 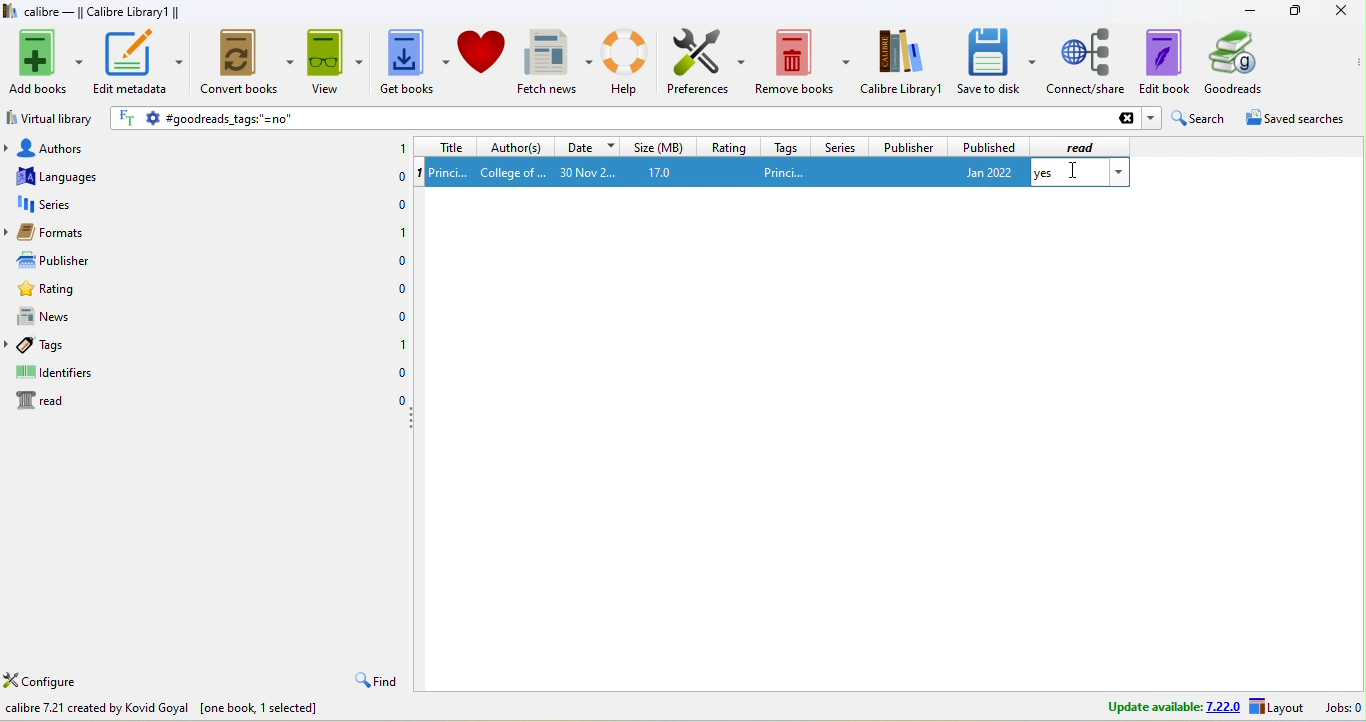 I want to click on preferences, so click(x=706, y=62).